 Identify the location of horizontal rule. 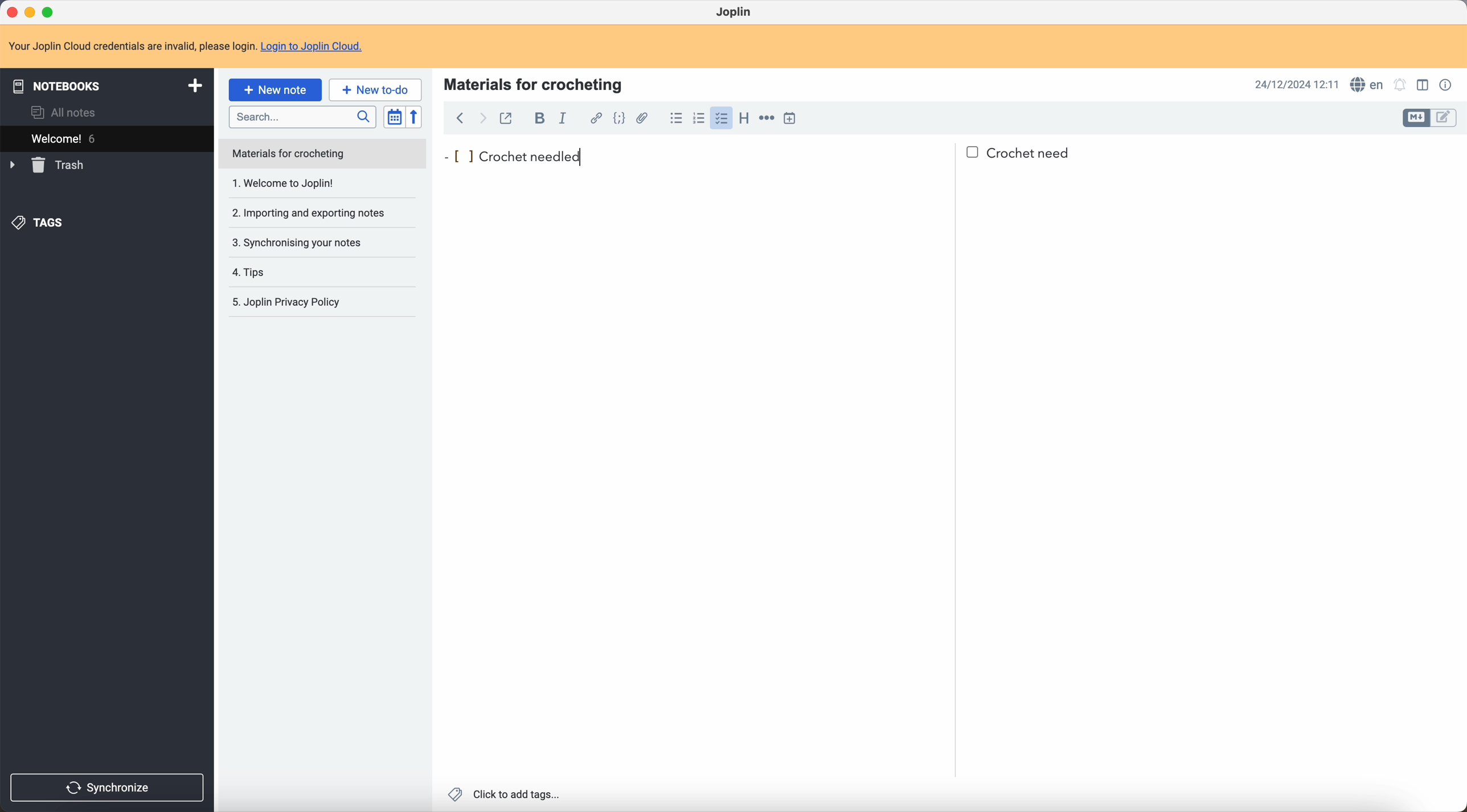
(766, 120).